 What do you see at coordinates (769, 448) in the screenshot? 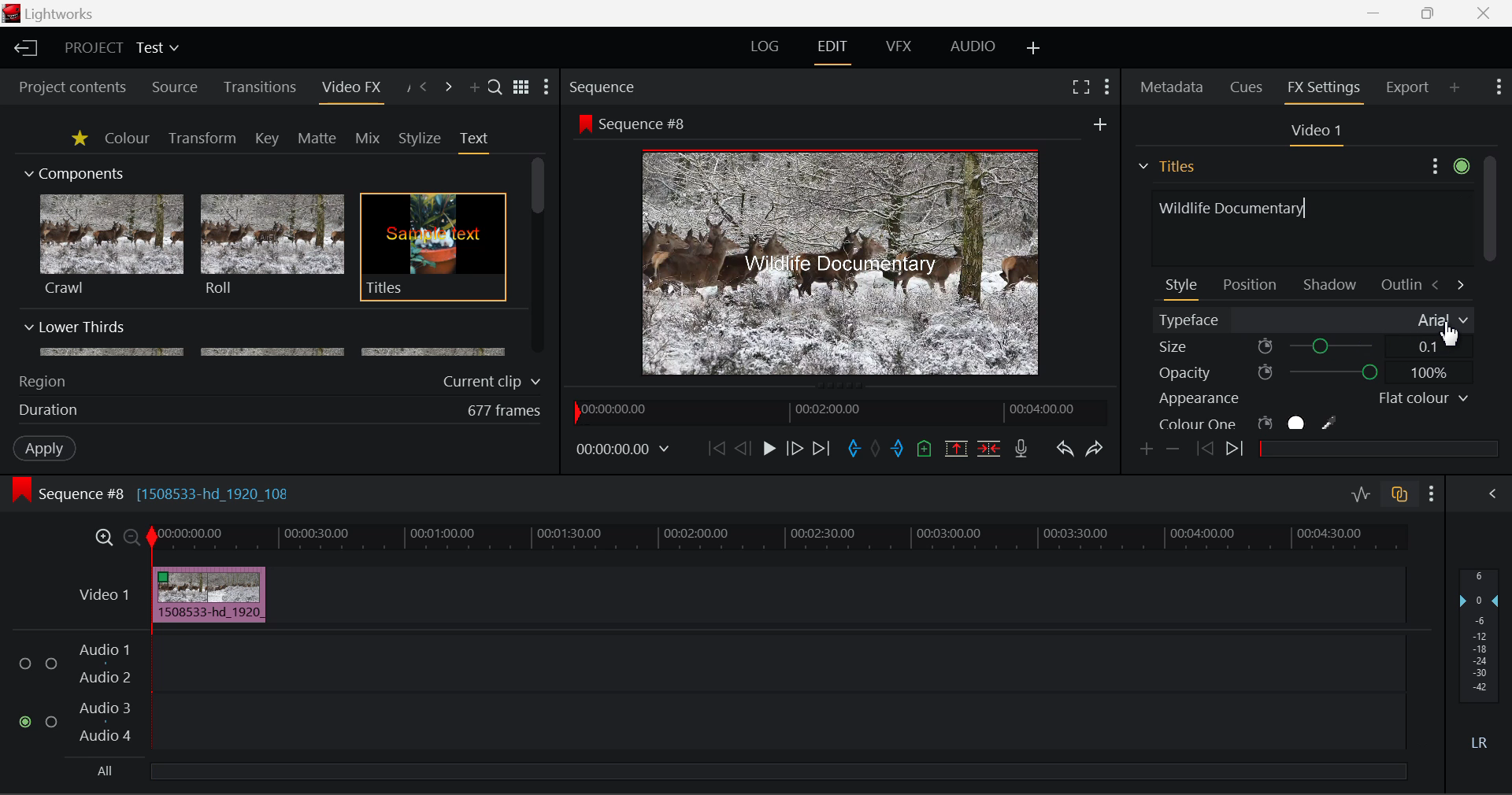
I see `Play` at bounding box center [769, 448].